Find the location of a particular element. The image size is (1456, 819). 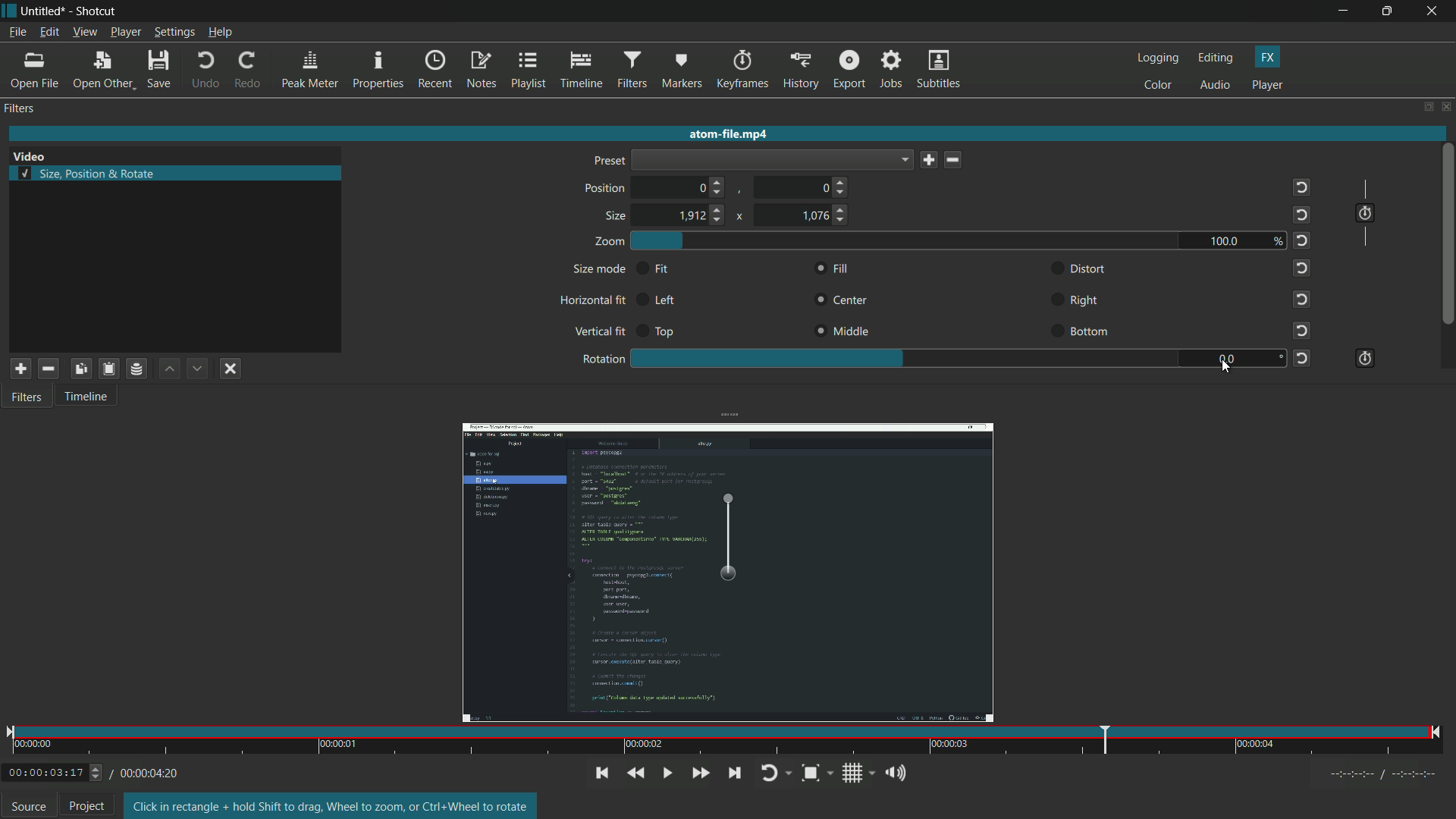

use keyframes for this parameter is located at coordinates (1368, 214).